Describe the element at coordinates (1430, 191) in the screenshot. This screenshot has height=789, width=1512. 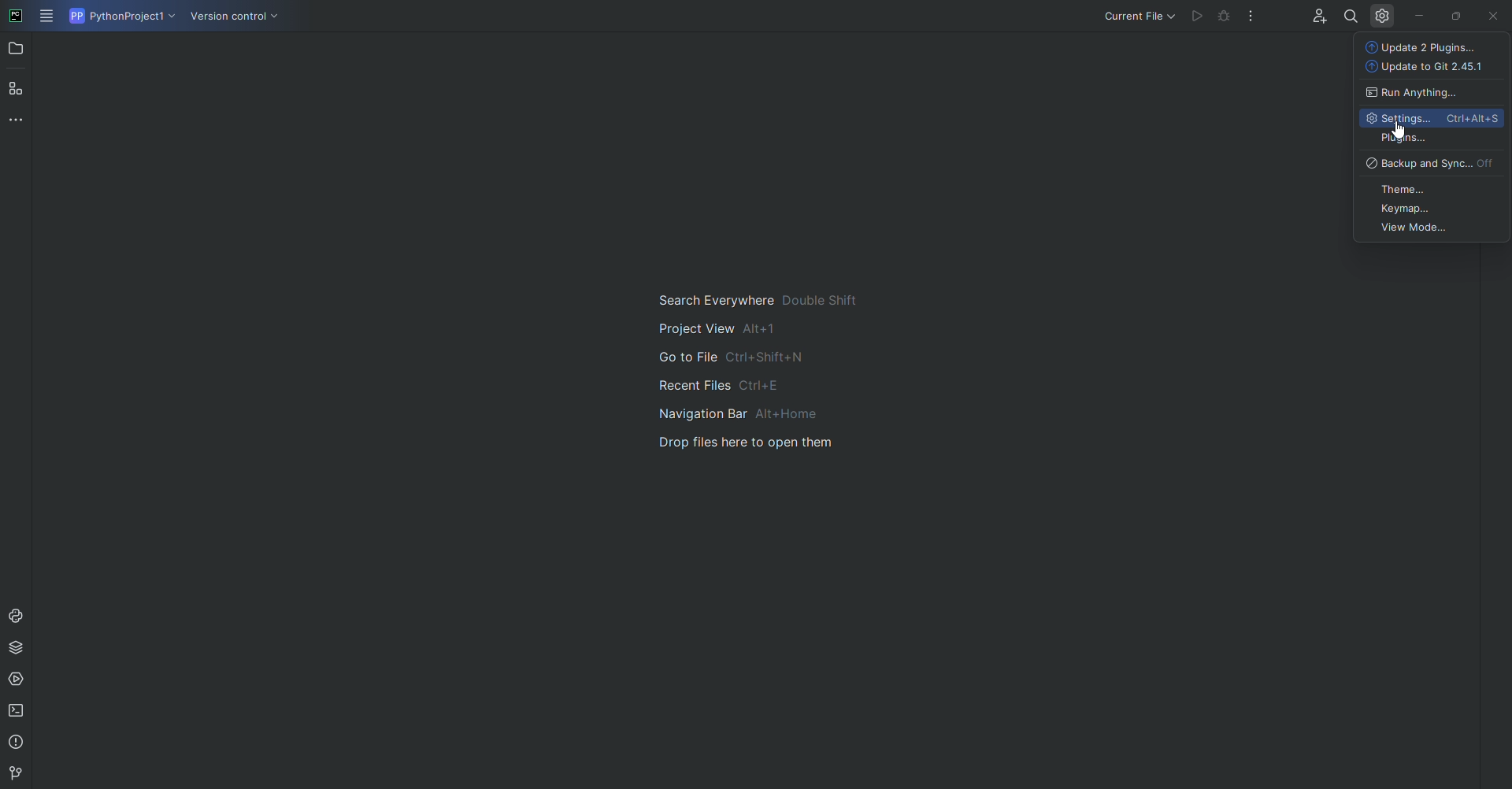
I see `Theme` at that location.